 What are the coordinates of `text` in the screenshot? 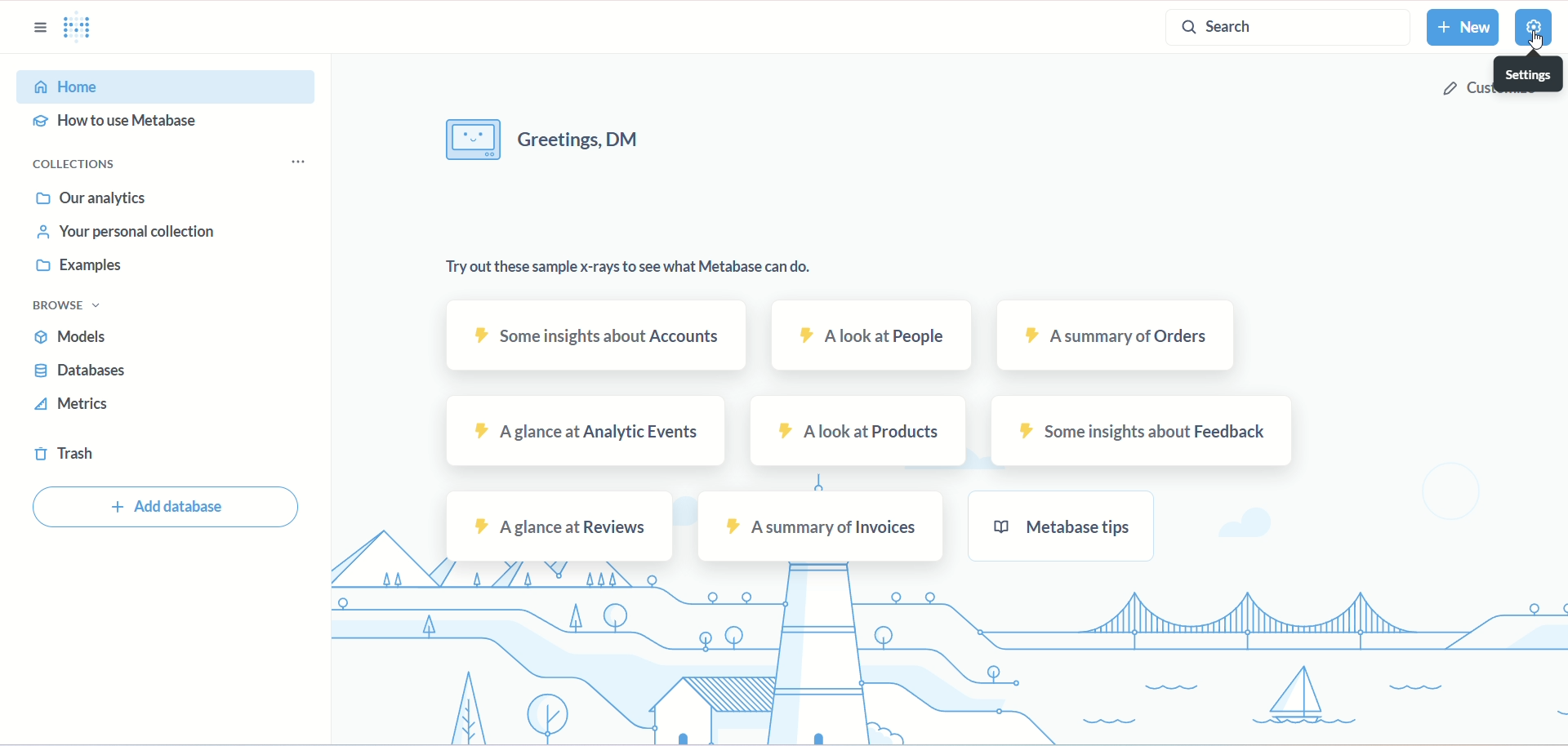 It's located at (634, 269).